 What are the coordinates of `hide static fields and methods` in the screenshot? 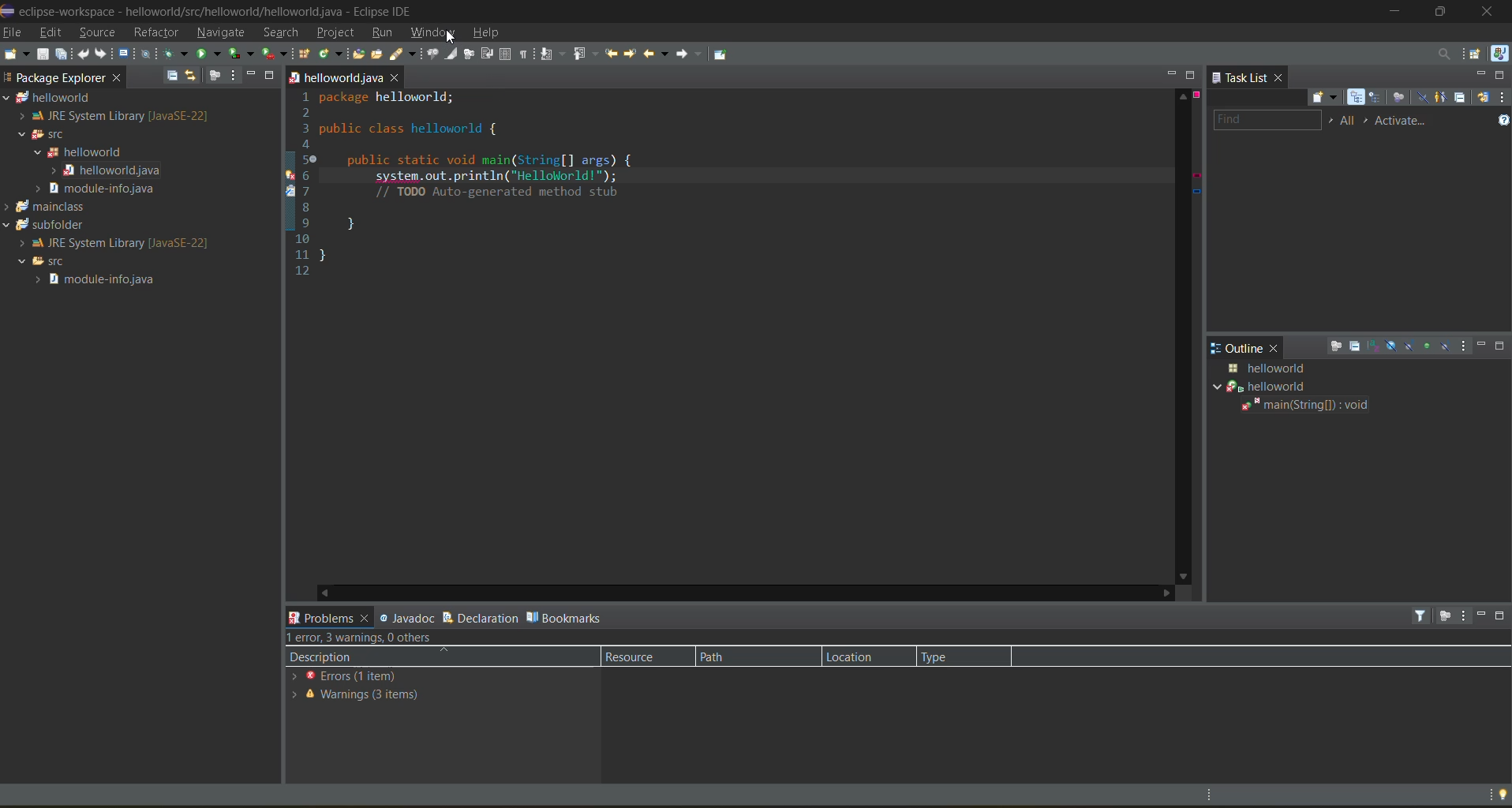 It's located at (1414, 346).